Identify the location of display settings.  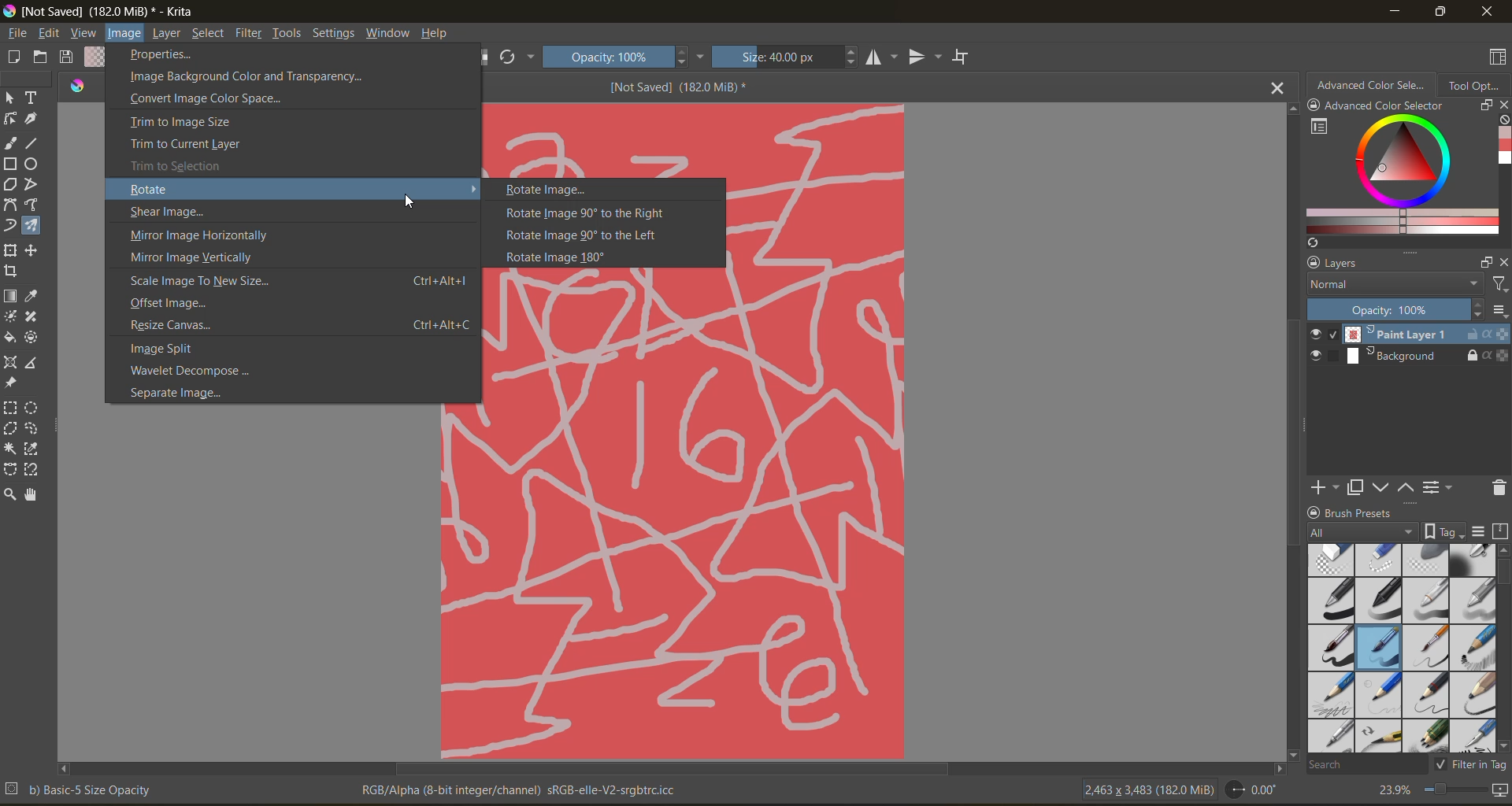
(1480, 532).